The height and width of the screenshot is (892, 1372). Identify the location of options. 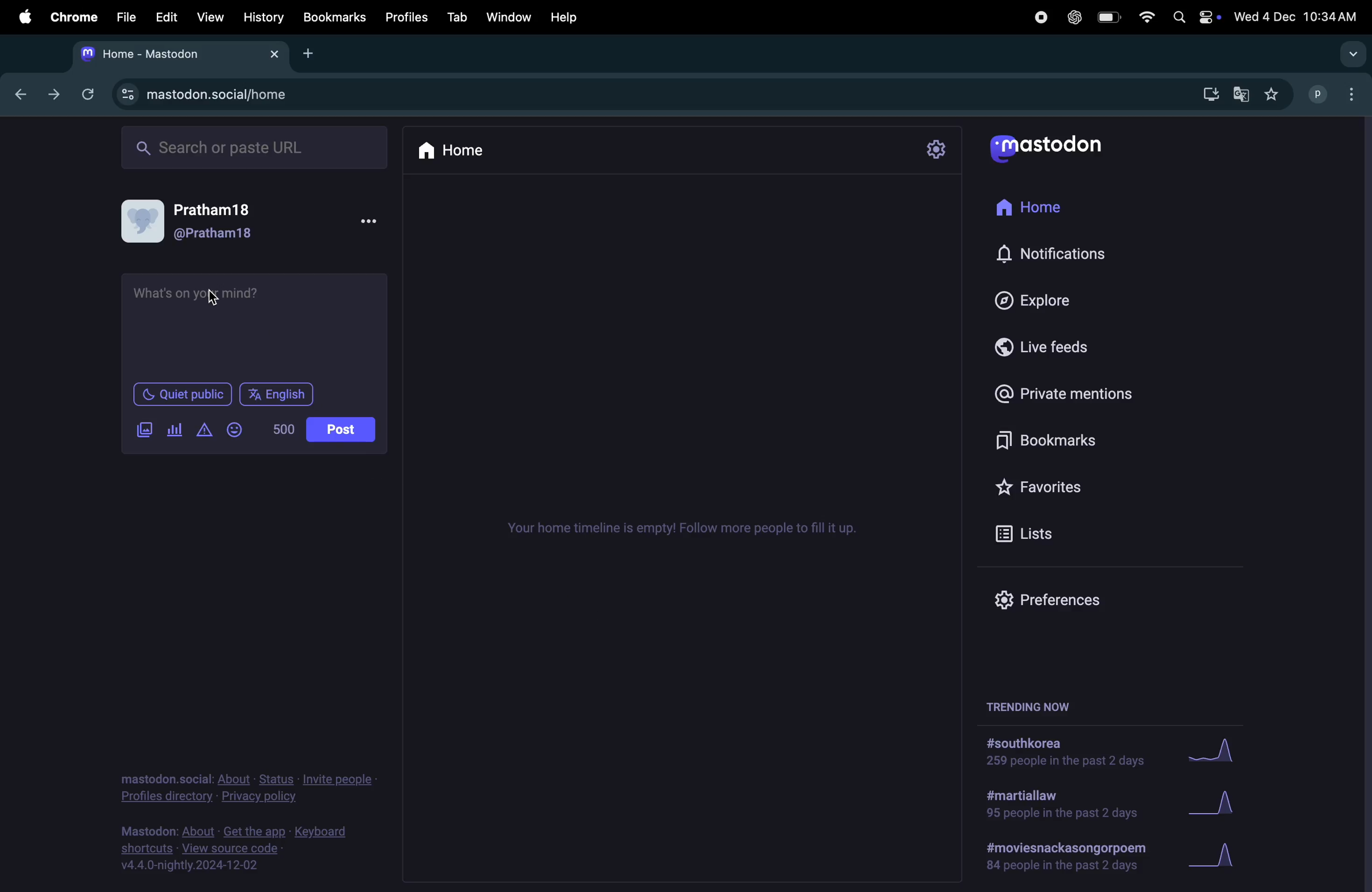
(375, 222).